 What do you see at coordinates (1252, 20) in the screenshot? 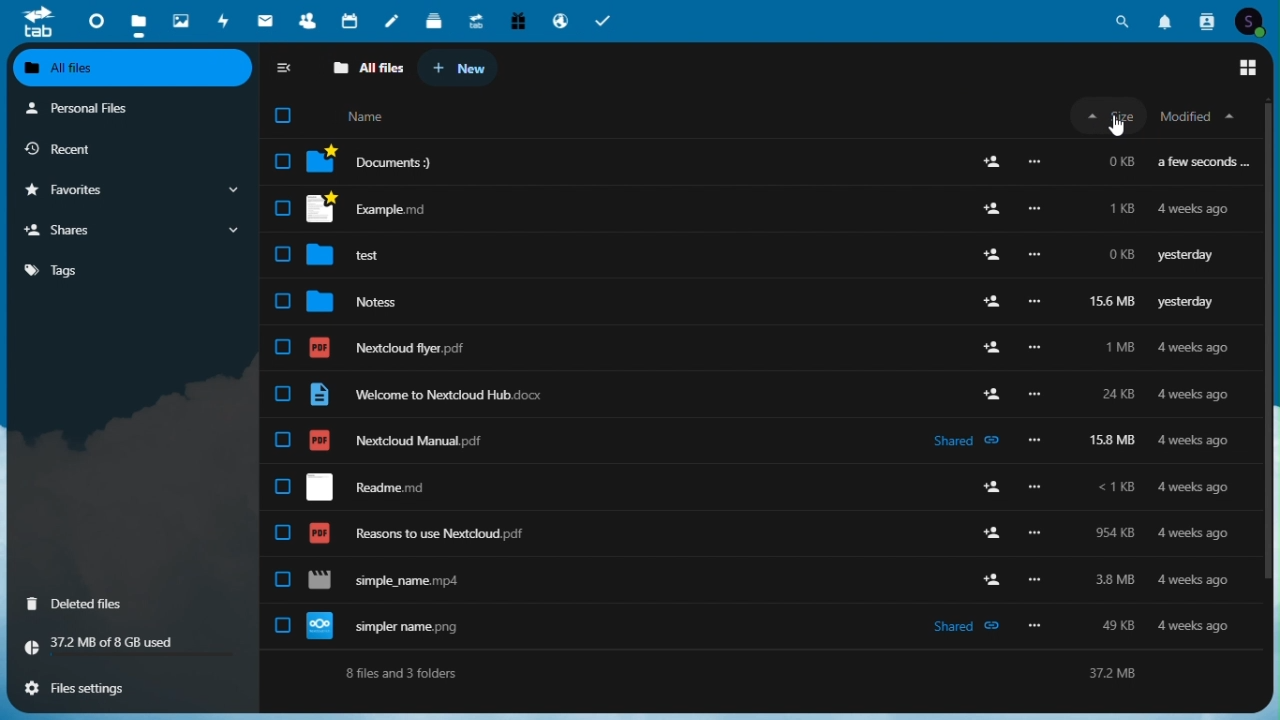
I see `Account icon` at bounding box center [1252, 20].